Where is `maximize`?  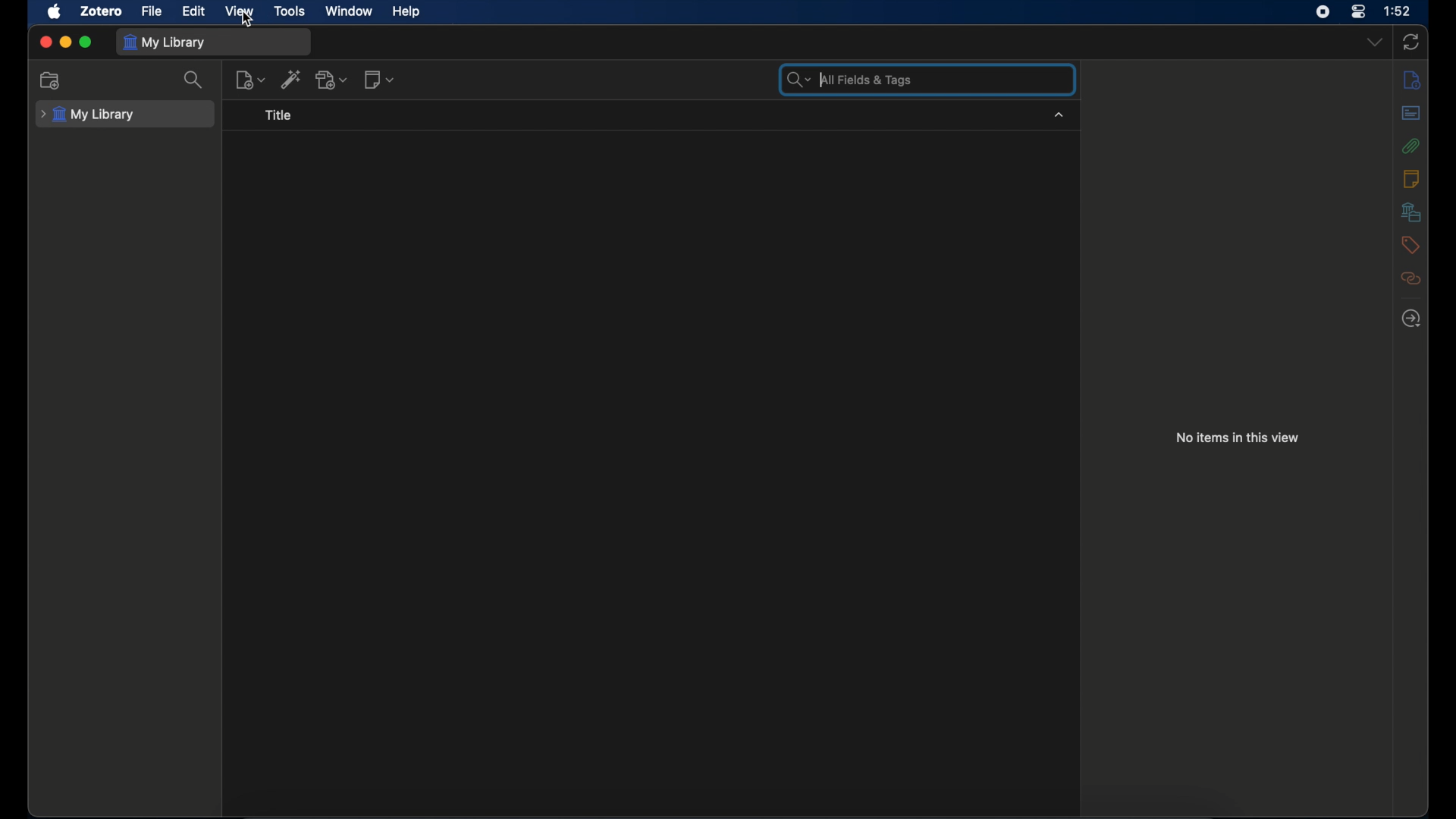 maximize is located at coordinates (86, 42).